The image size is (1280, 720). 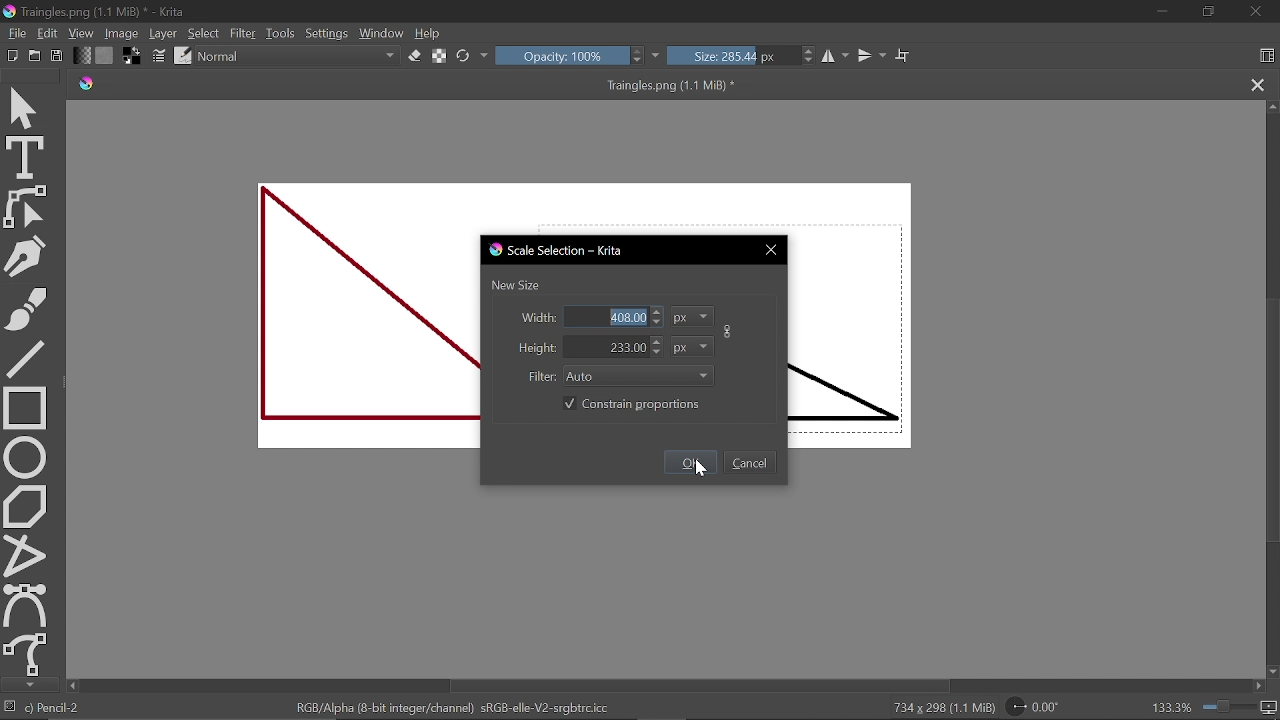 What do you see at coordinates (26, 305) in the screenshot?
I see `Freehand brush tool` at bounding box center [26, 305].